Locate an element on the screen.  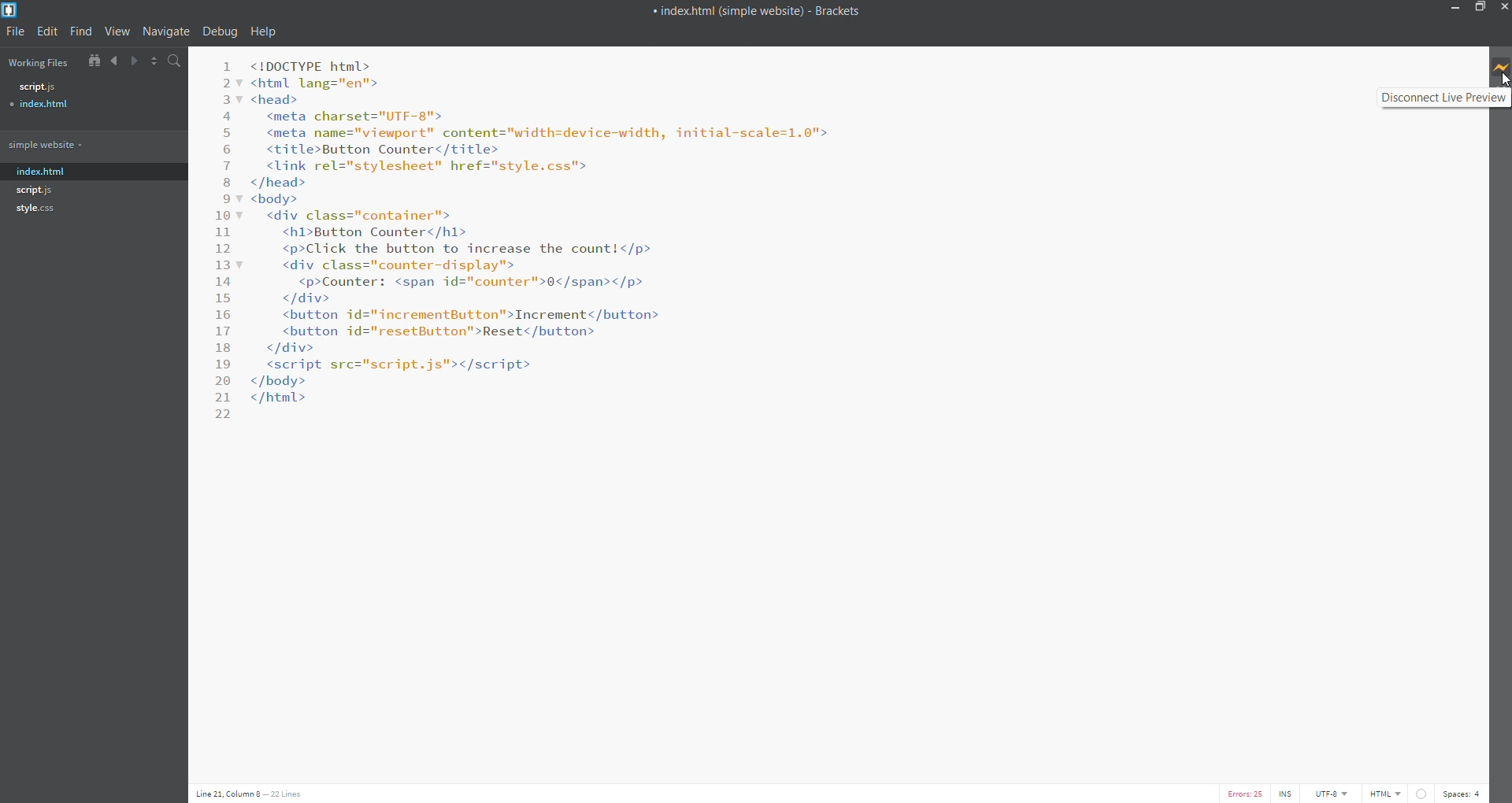
working files is located at coordinates (39, 62).